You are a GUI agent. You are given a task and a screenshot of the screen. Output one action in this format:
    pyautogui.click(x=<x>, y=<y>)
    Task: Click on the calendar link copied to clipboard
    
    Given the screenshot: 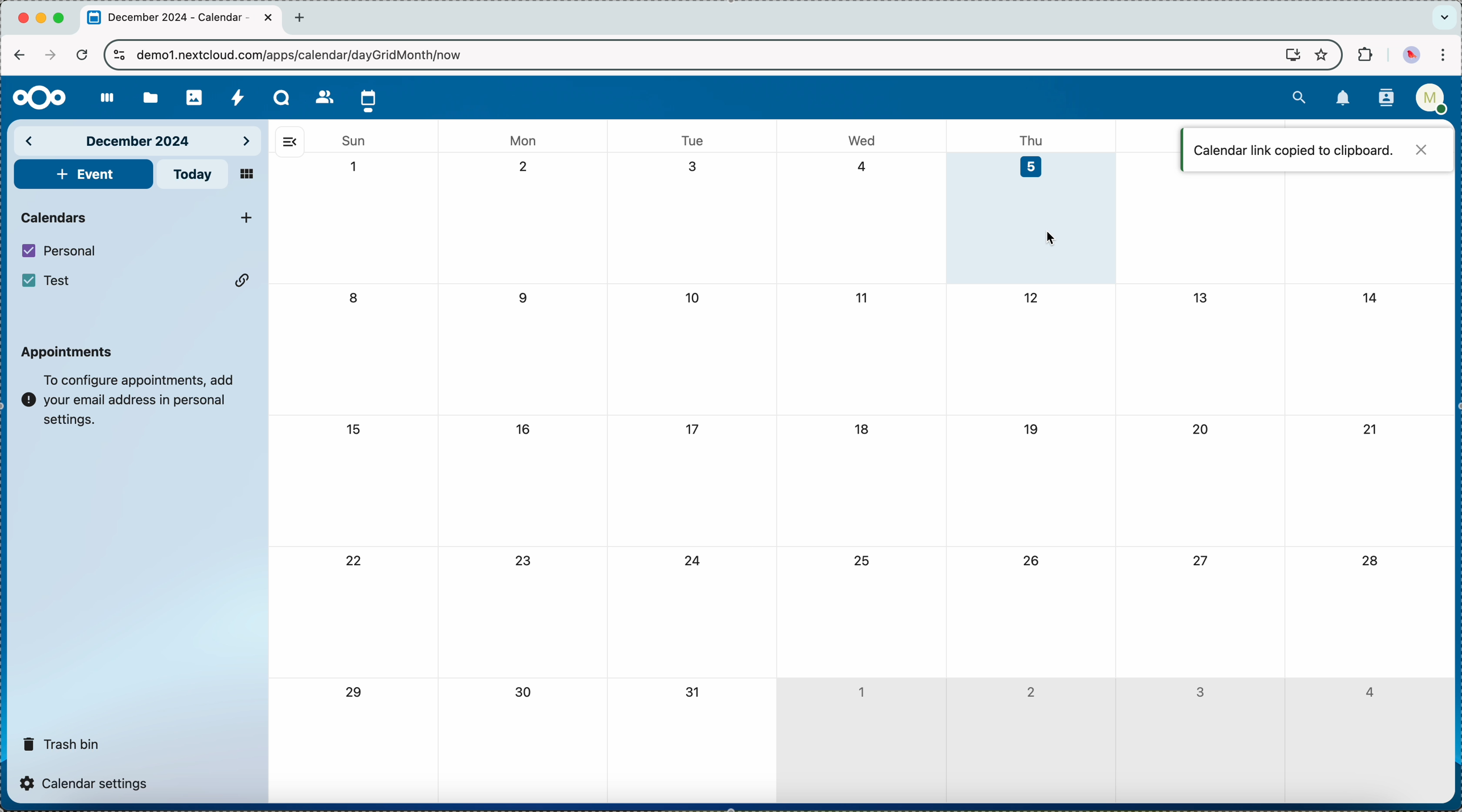 What is the action you would take?
    pyautogui.click(x=1317, y=151)
    